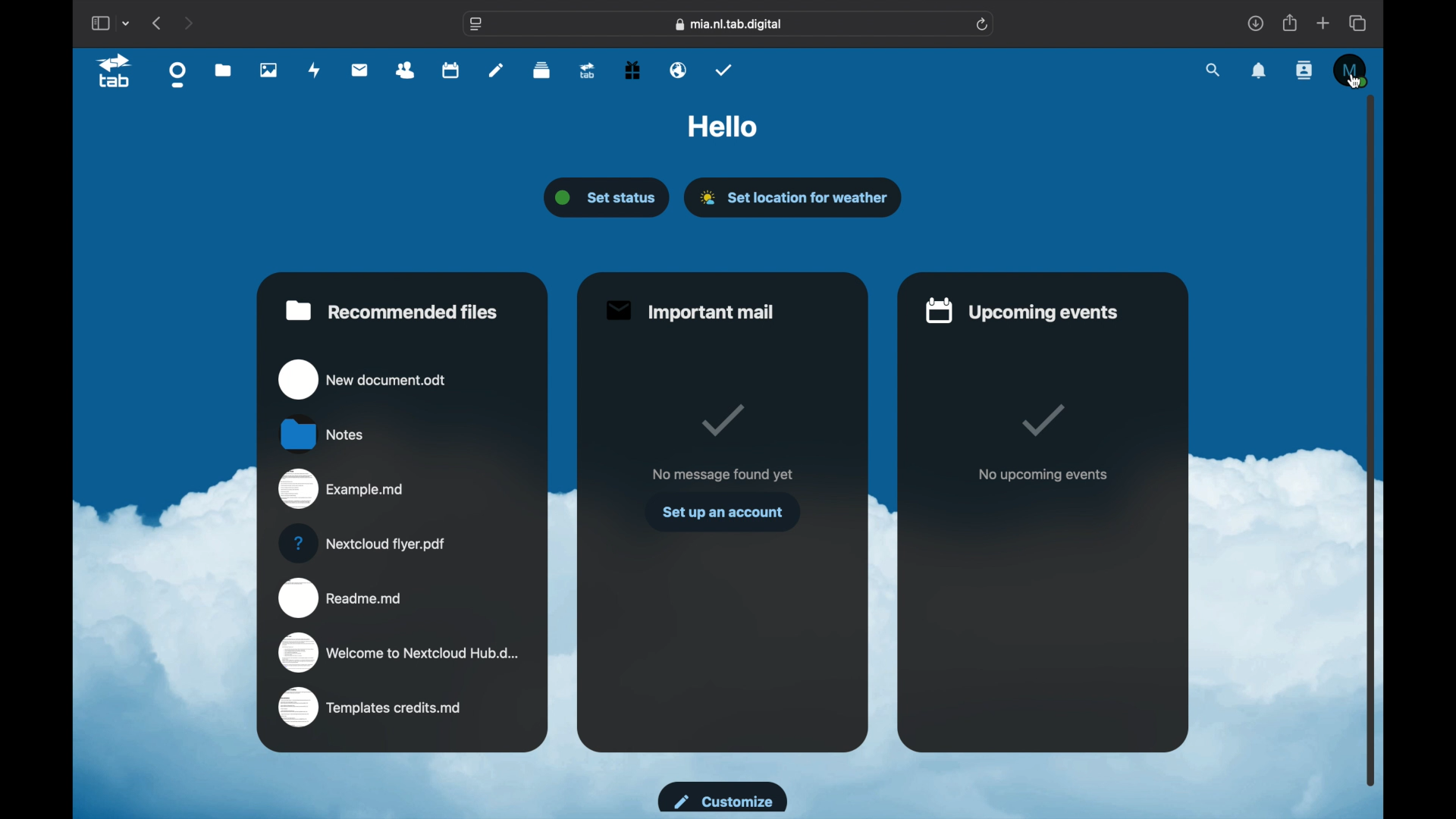  Describe the element at coordinates (99, 23) in the screenshot. I see `show sidebar` at that location.